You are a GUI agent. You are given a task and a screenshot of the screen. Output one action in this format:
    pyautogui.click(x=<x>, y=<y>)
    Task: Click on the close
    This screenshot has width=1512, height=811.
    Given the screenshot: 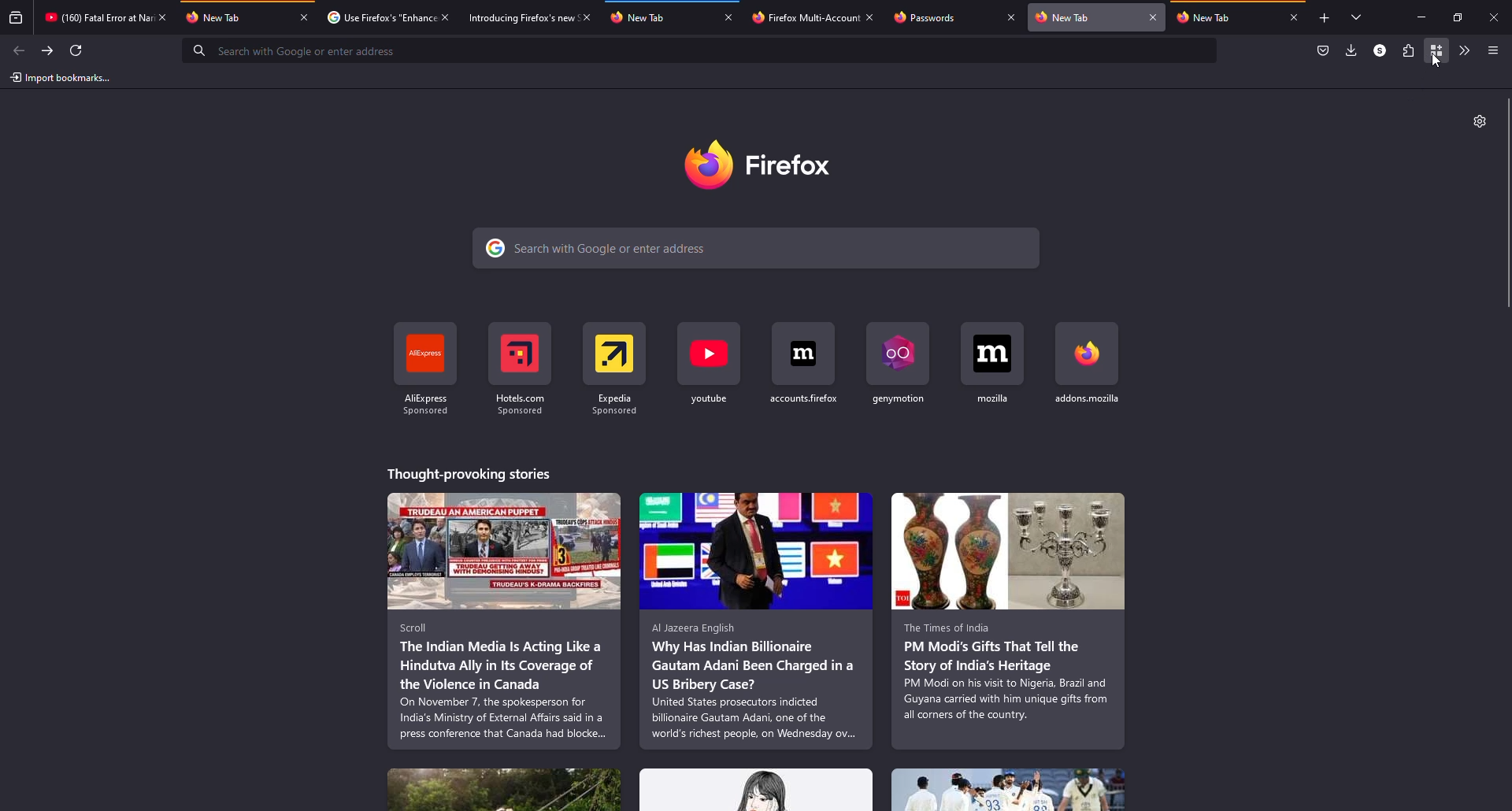 What is the action you would take?
    pyautogui.click(x=445, y=15)
    